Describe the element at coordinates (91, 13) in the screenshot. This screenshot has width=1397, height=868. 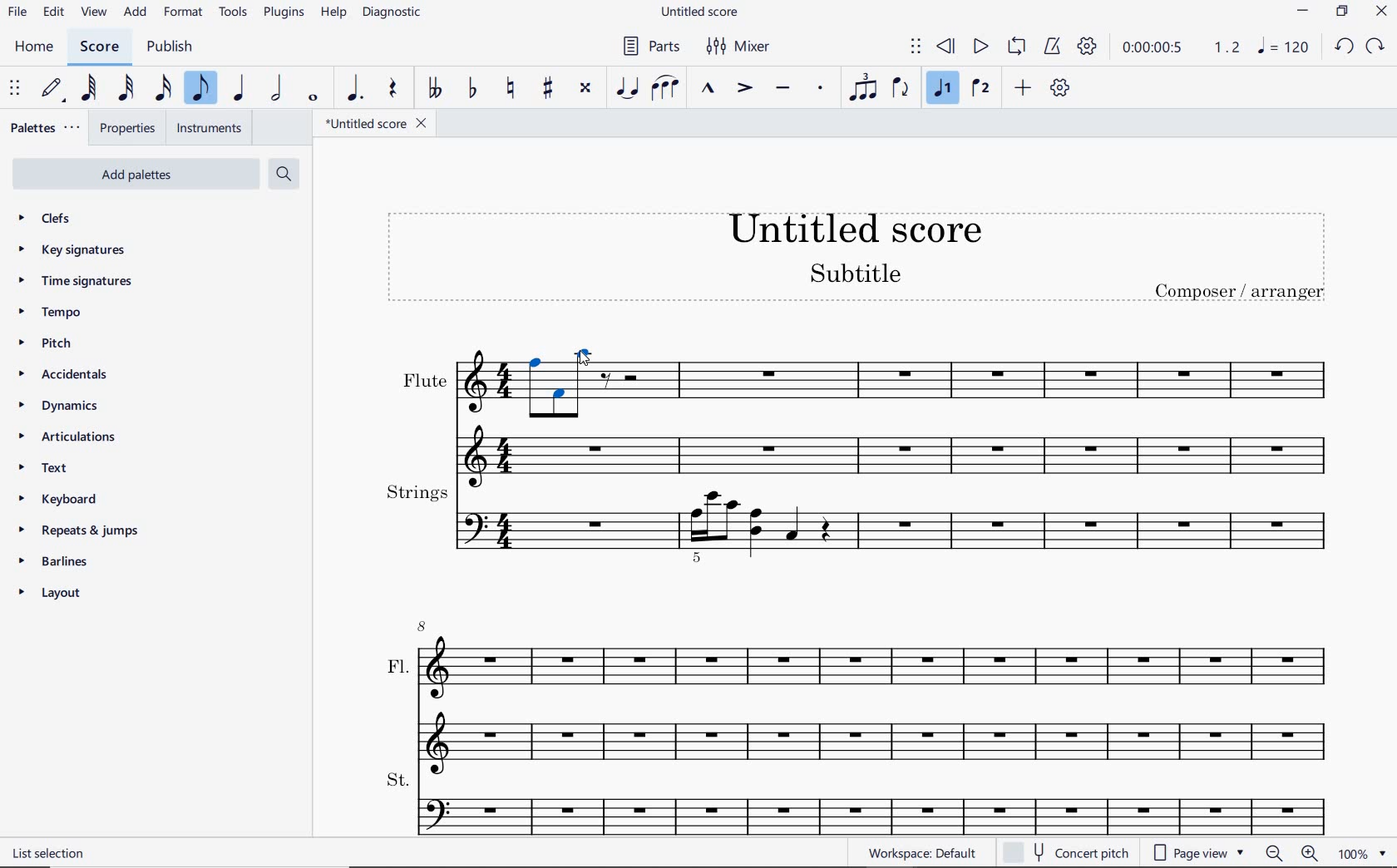
I see `view` at that location.